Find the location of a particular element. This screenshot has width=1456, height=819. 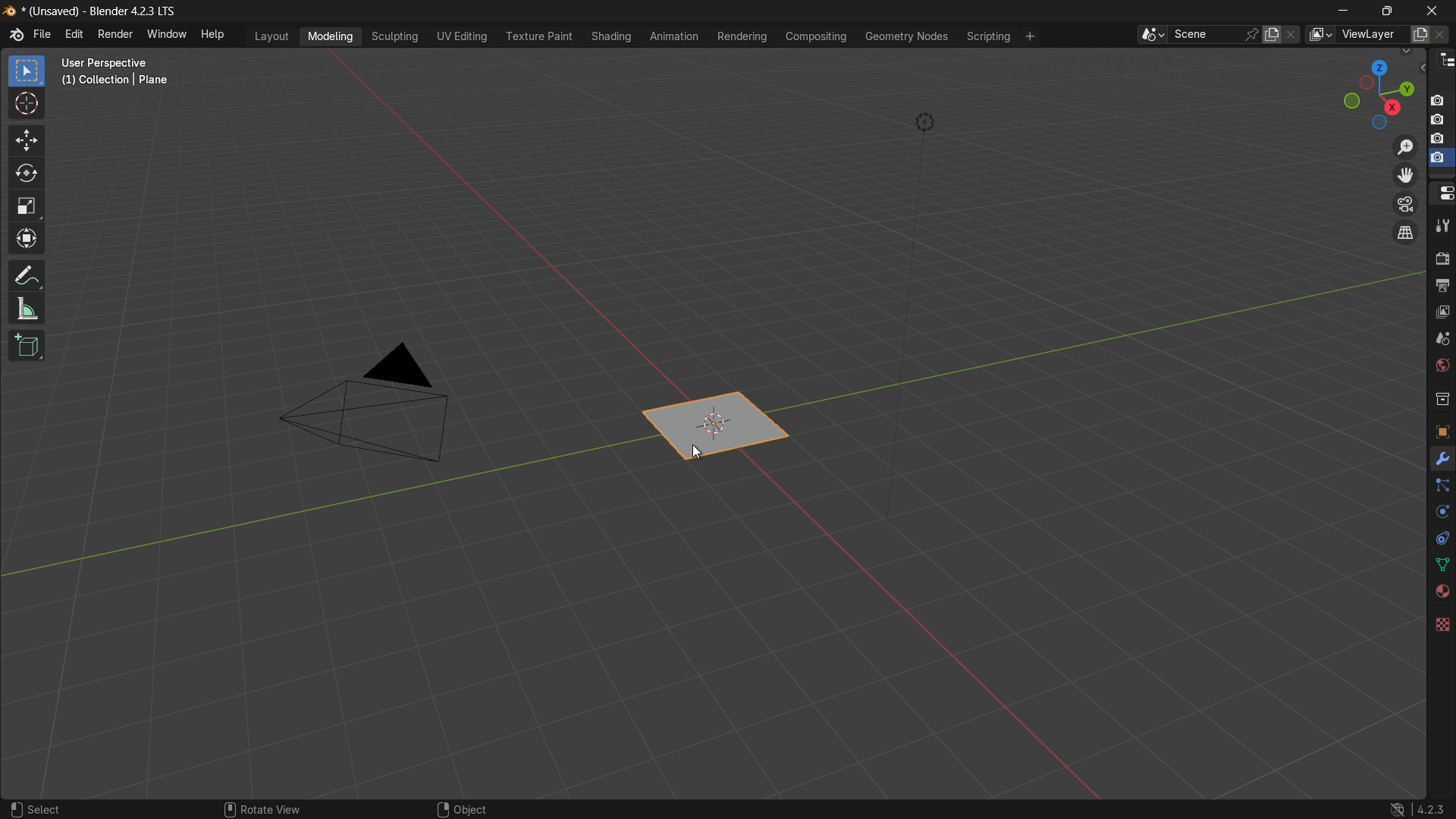

scale is located at coordinates (27, 209).